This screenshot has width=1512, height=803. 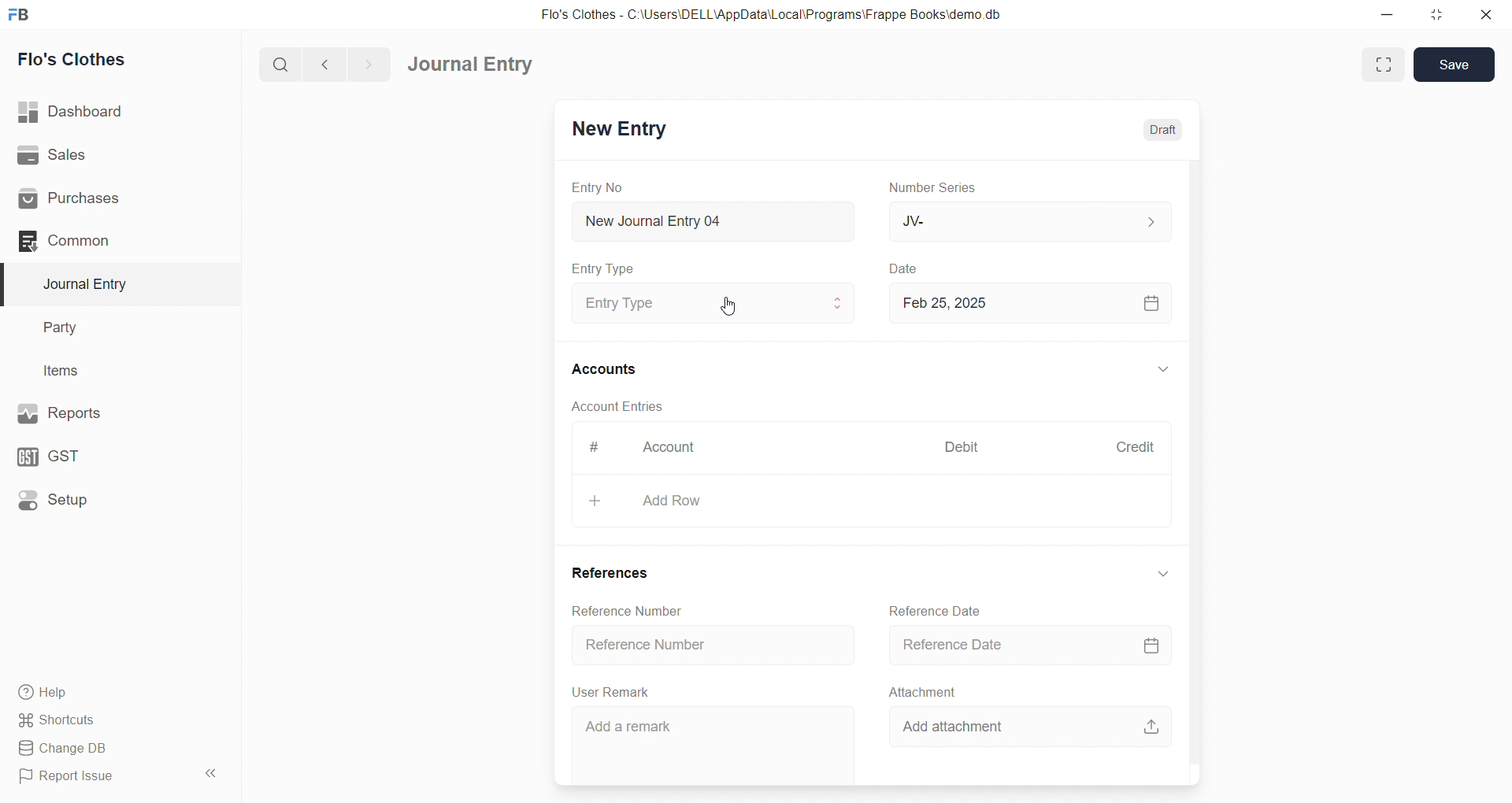 I want to click on Credit, so click(x=1135, y=447).